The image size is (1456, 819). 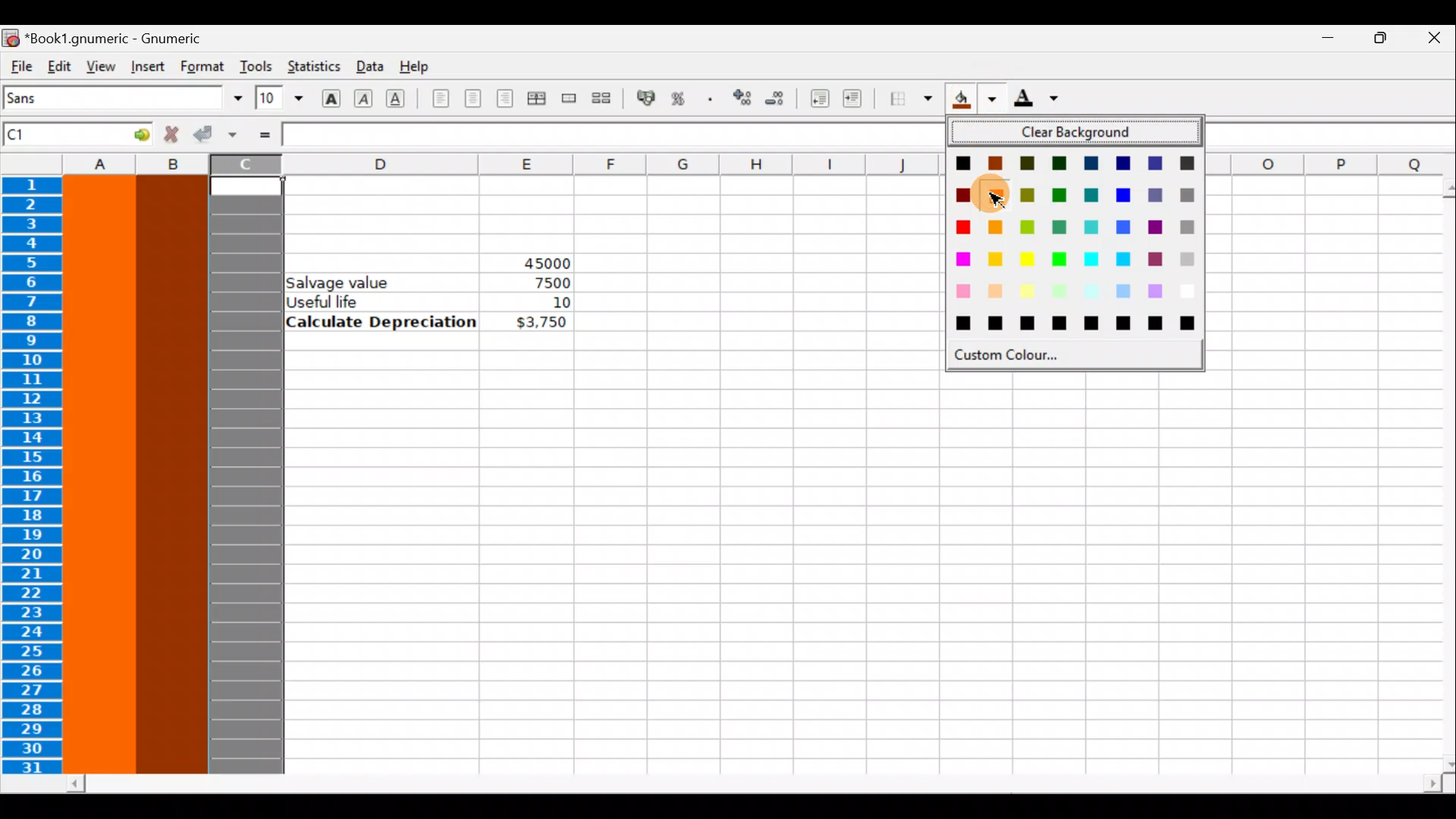 I want to click on Useful life, so click(x=384, y=301).